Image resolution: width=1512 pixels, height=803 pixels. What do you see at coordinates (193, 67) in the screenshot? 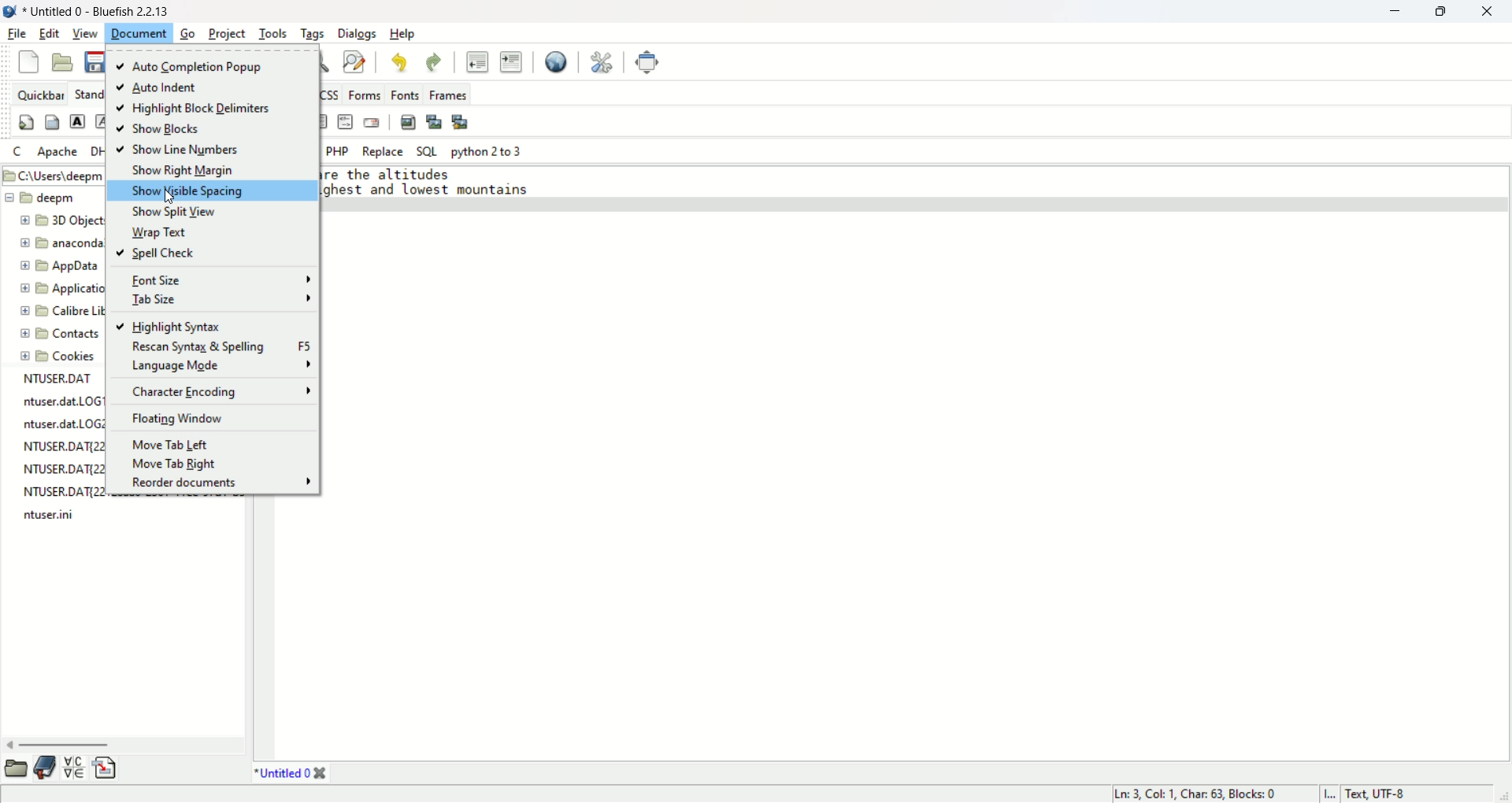
I see `auto completion popup` at bounding box center [193, 67].